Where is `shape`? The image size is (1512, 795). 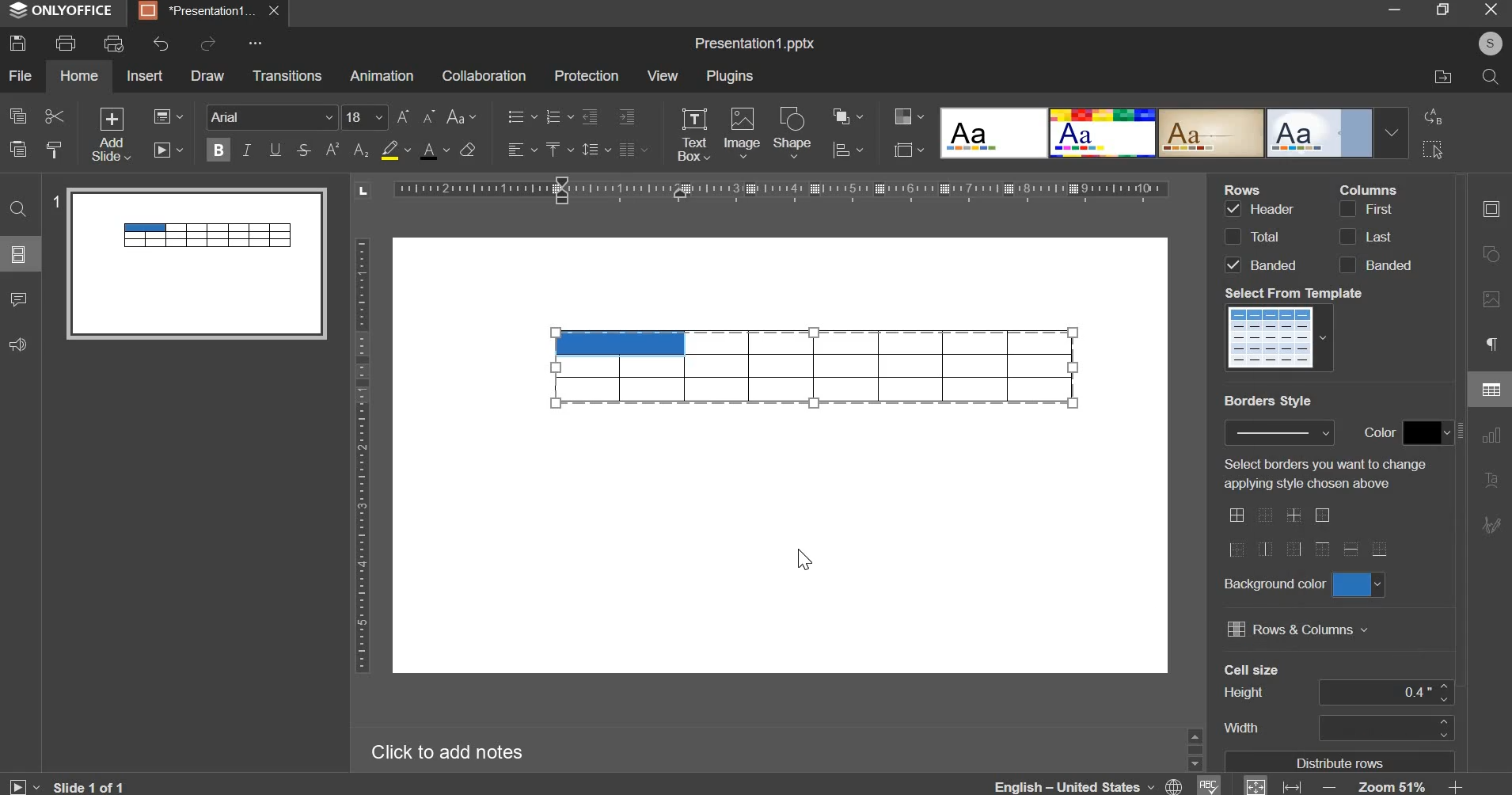 shape is located at coordinates (794, 132).